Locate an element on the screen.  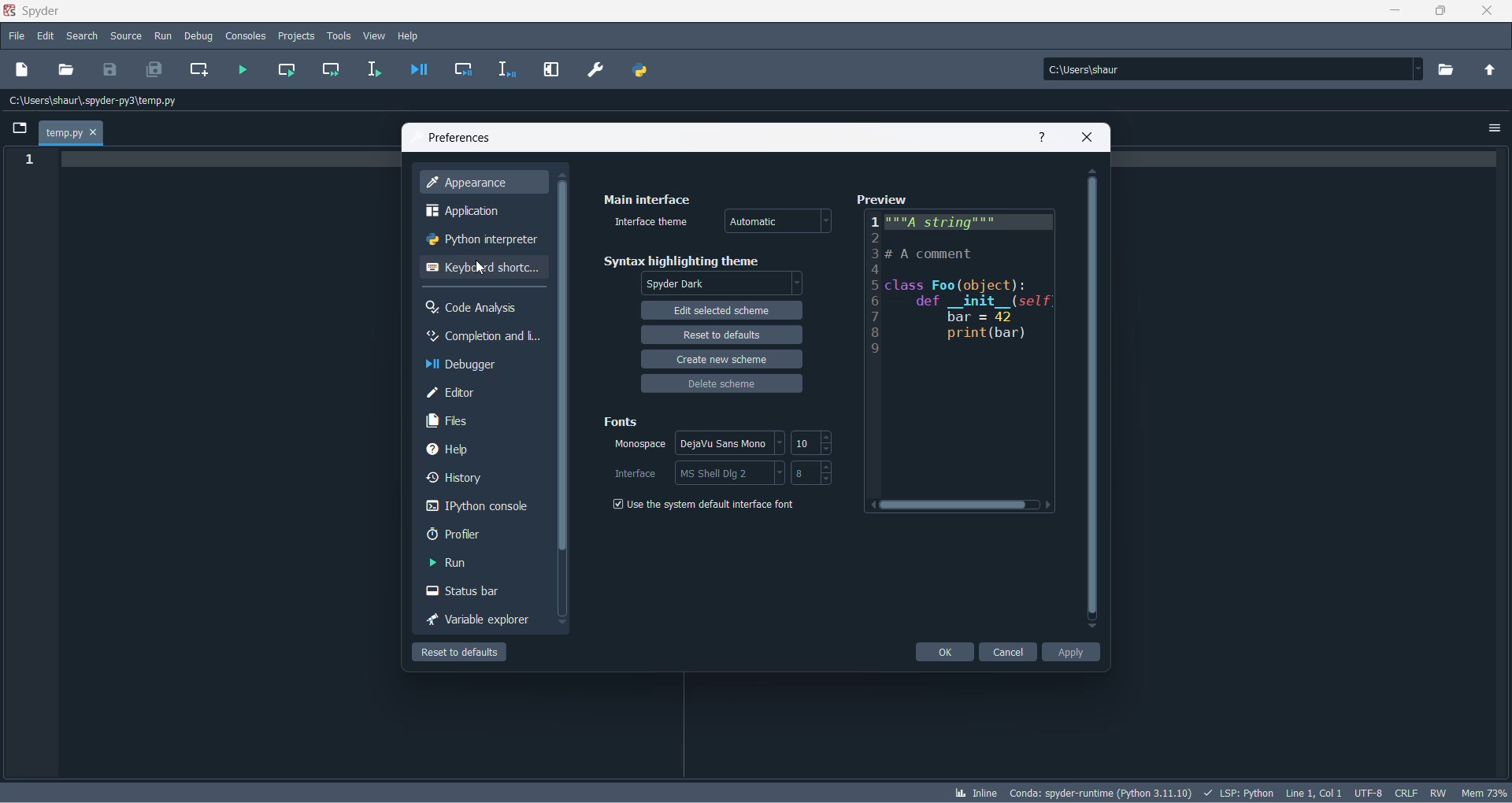
reset to default is located at coordinates (720, 337).